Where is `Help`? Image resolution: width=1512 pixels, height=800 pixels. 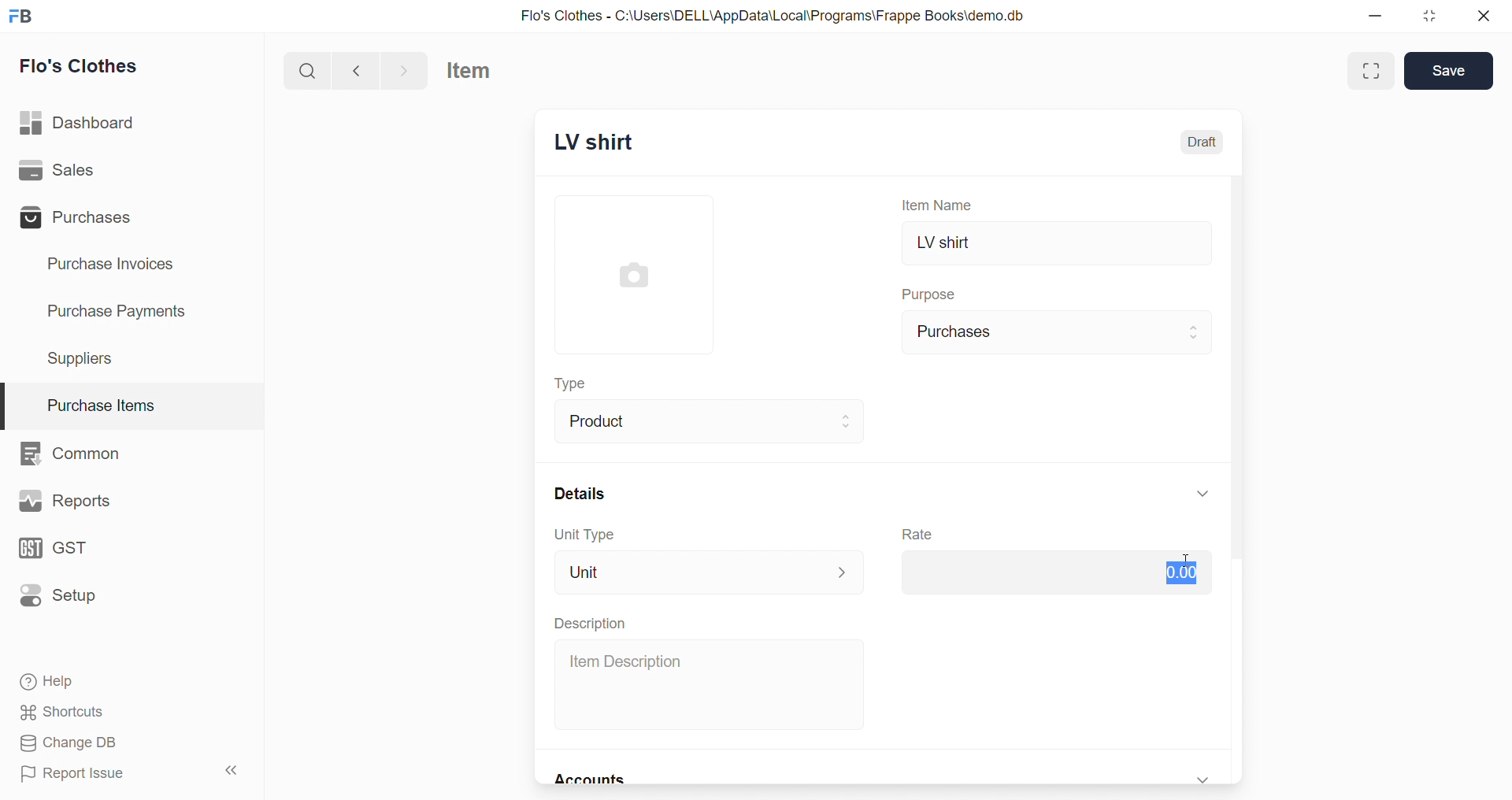
Help is located at coordinates (124, 680).